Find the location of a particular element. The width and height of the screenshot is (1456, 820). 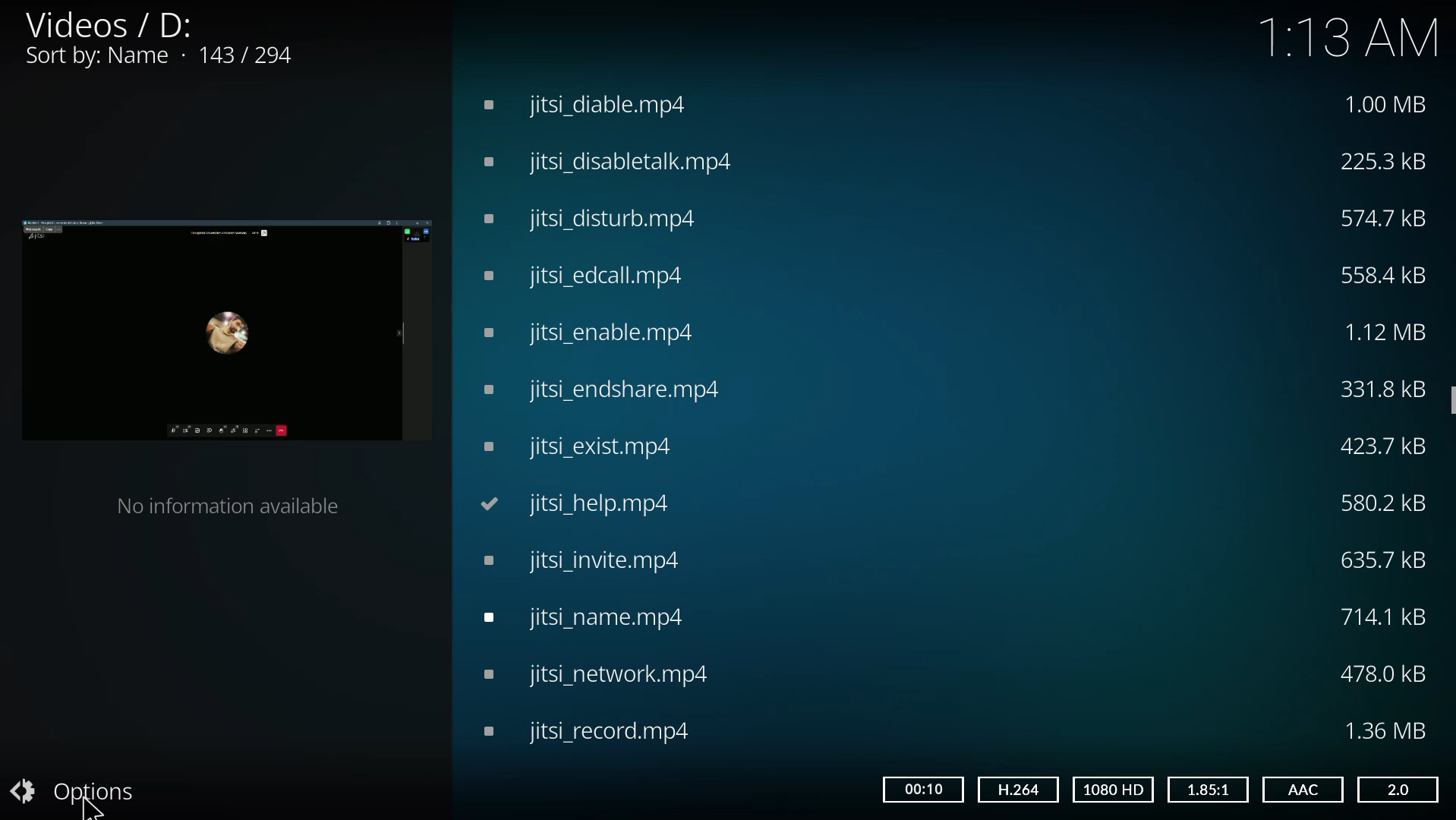

video is located at coordinates (586, 675).